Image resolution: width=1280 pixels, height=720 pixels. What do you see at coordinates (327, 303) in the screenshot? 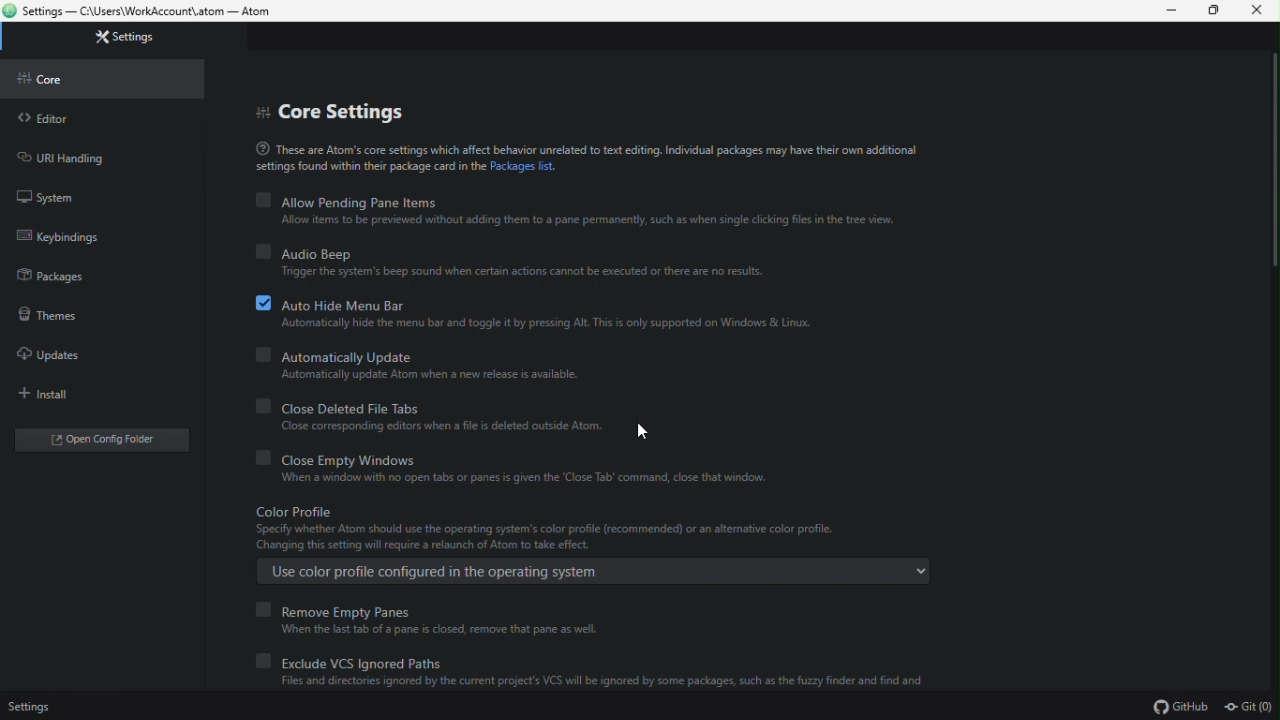
I see `Auto Hide Menu Bar` at bounding box center [327, 303].